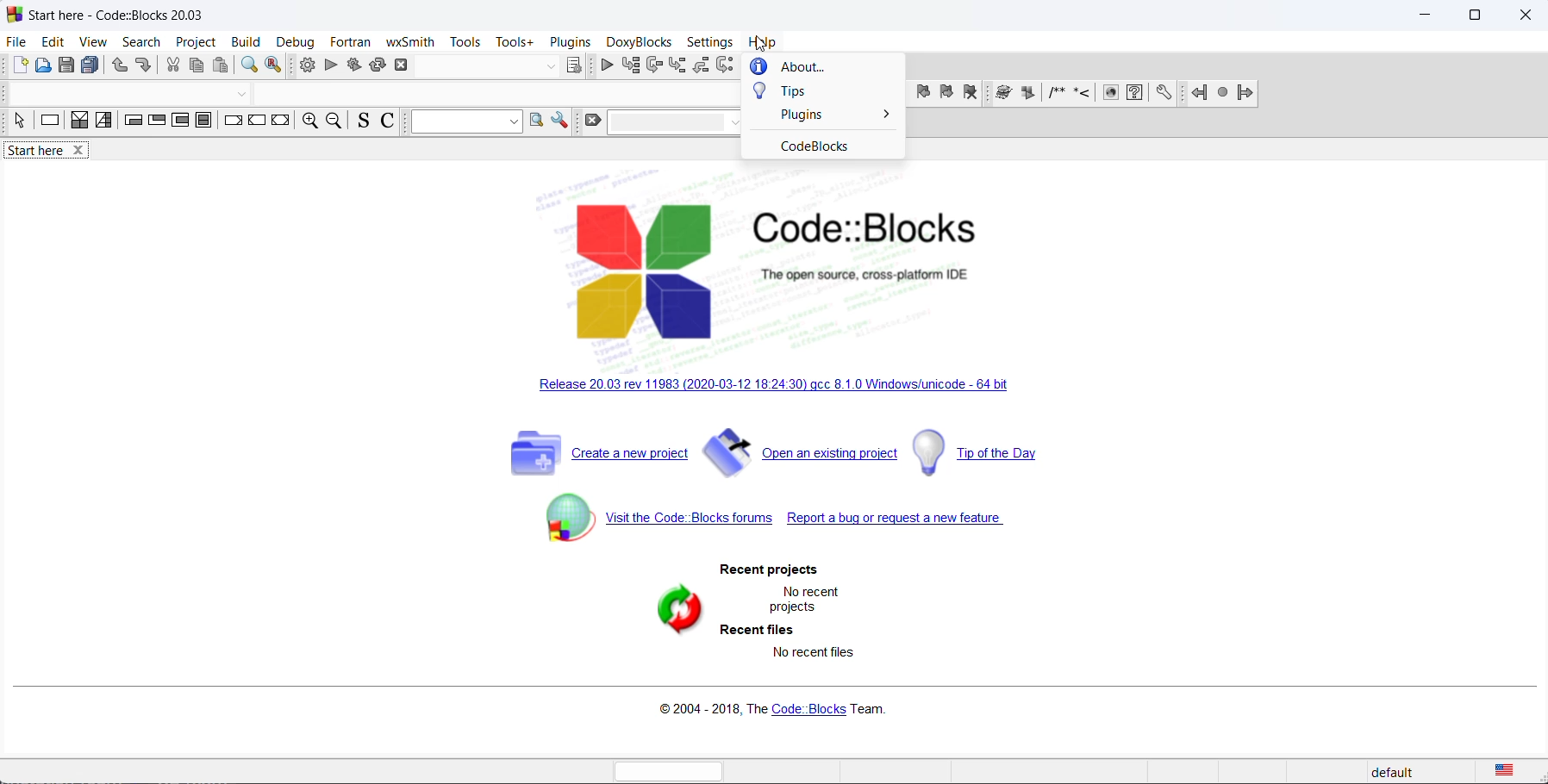 Image resolution: width=1548 pixels, height=784 pixels. I want to click on plugins, so click(569, 40).